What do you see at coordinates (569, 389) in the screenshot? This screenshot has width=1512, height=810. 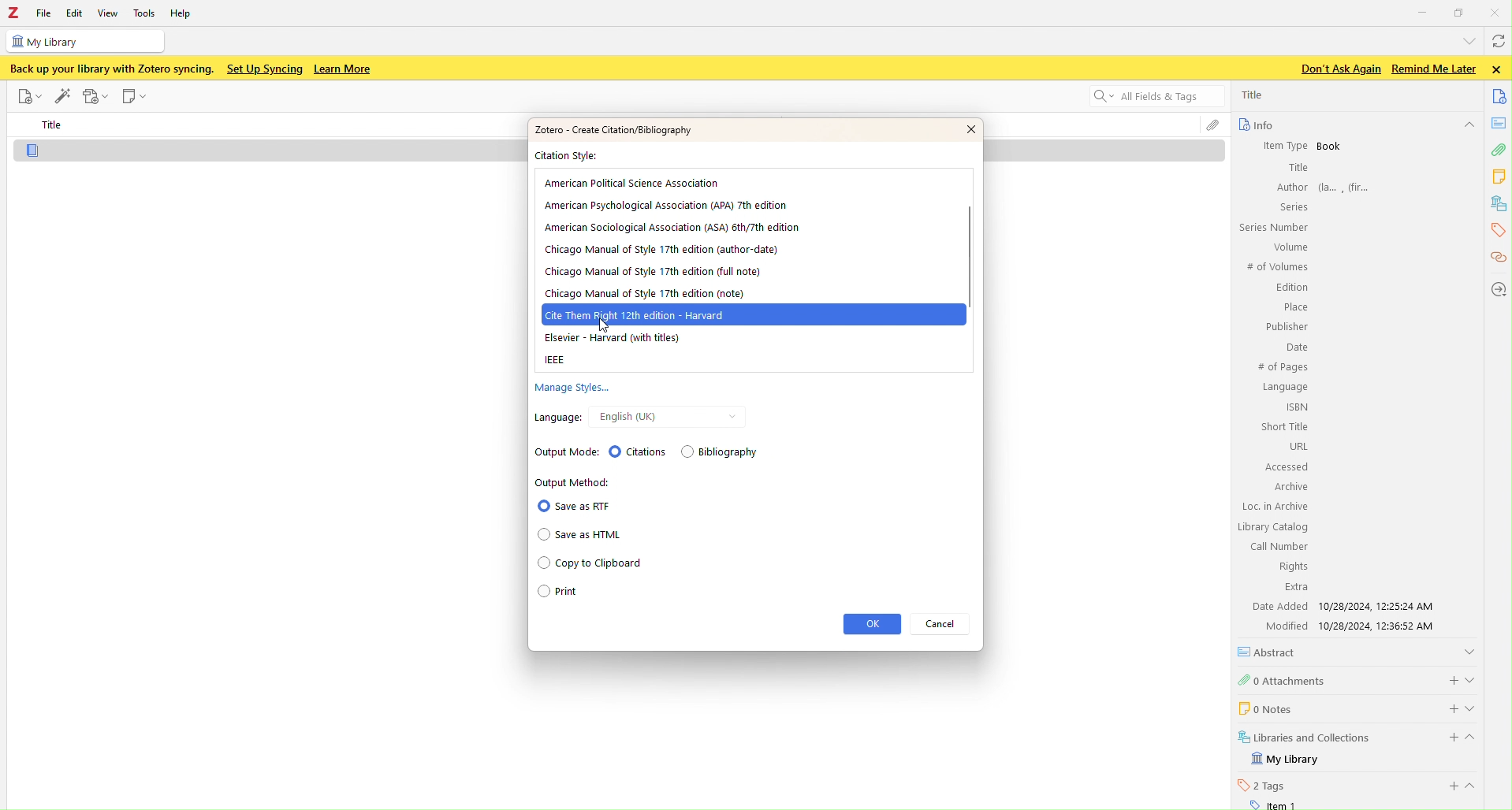 I see `Manage Styles...` at bounding box center [569, 389].